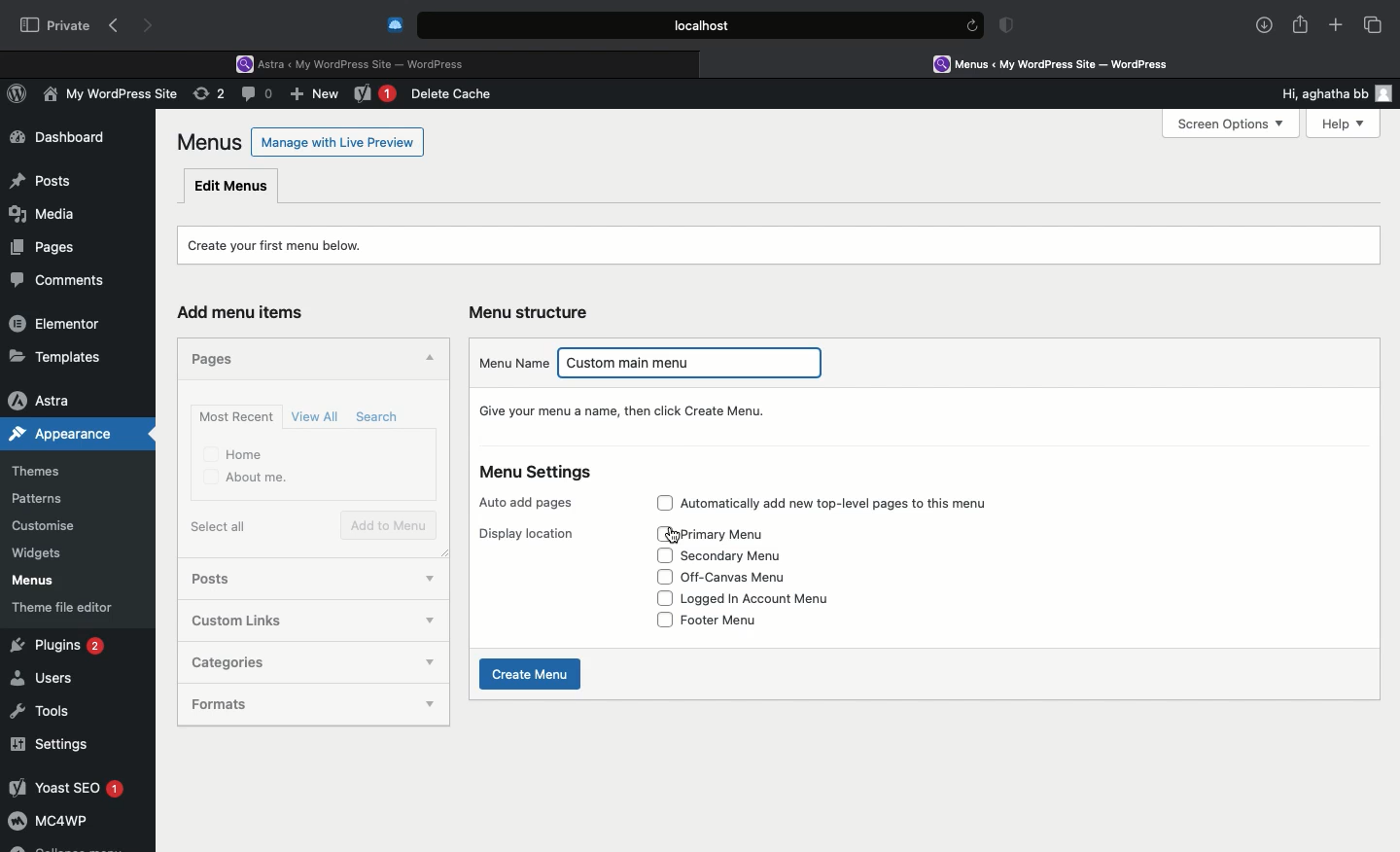 The height and width of the screenshot is (852, 1400). I want to click on Forward, so click(151, 25).